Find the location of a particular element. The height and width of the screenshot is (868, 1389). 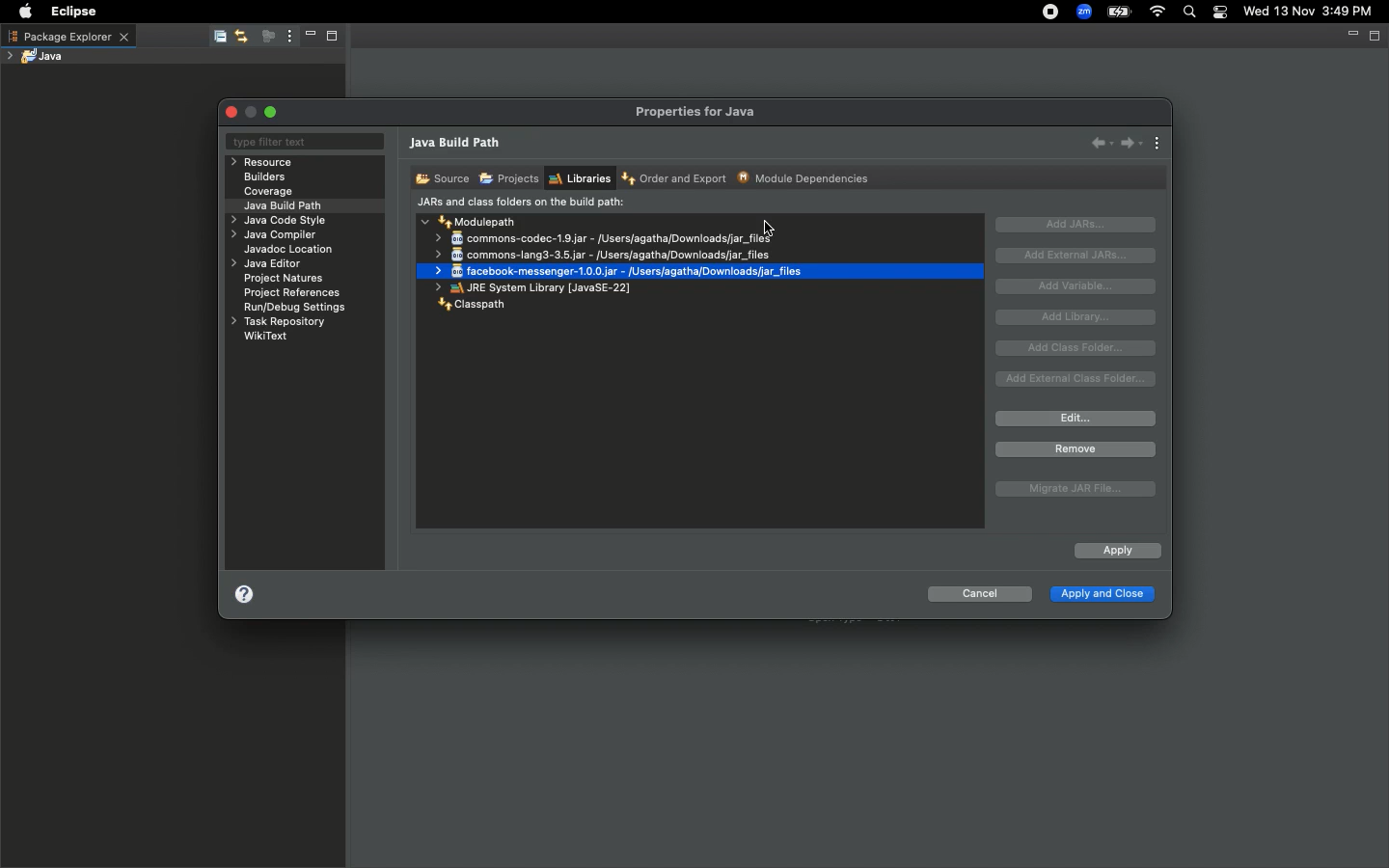

RuryDebug is located at coordinates (295, 310).